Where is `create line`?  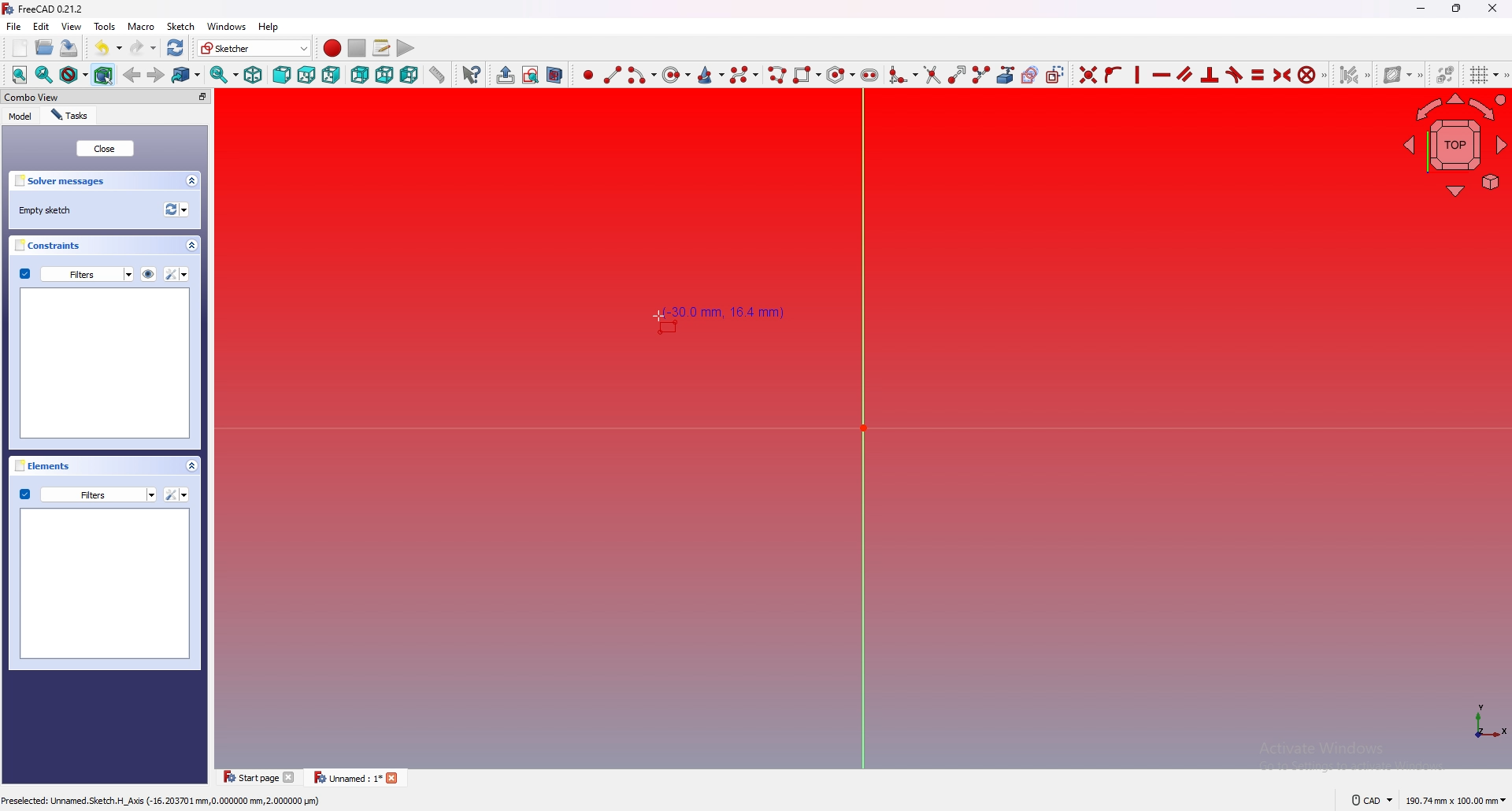 create line is located at coordinates (613, 76).